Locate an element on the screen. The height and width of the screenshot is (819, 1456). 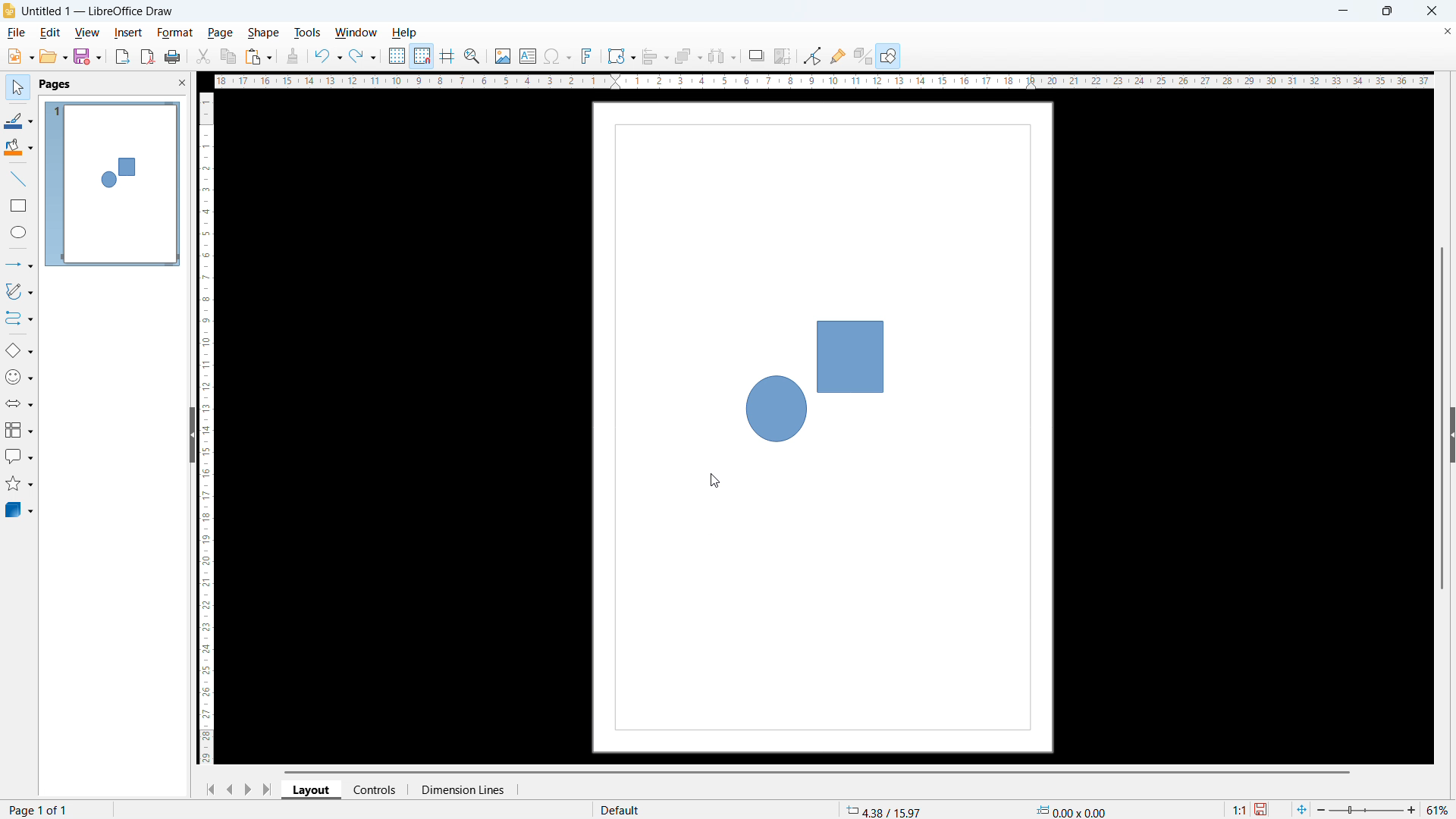
insert is located at coordinates (128, 33).